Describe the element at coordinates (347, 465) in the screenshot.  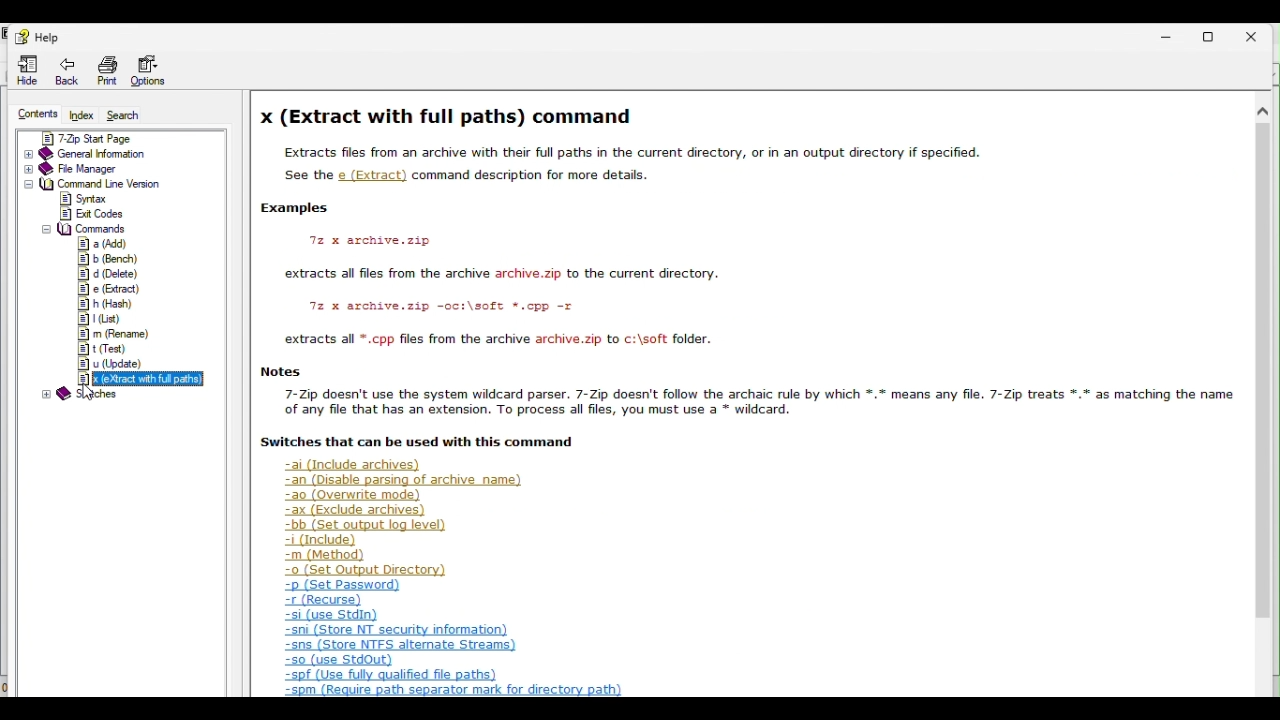
I see `ai` at that location.